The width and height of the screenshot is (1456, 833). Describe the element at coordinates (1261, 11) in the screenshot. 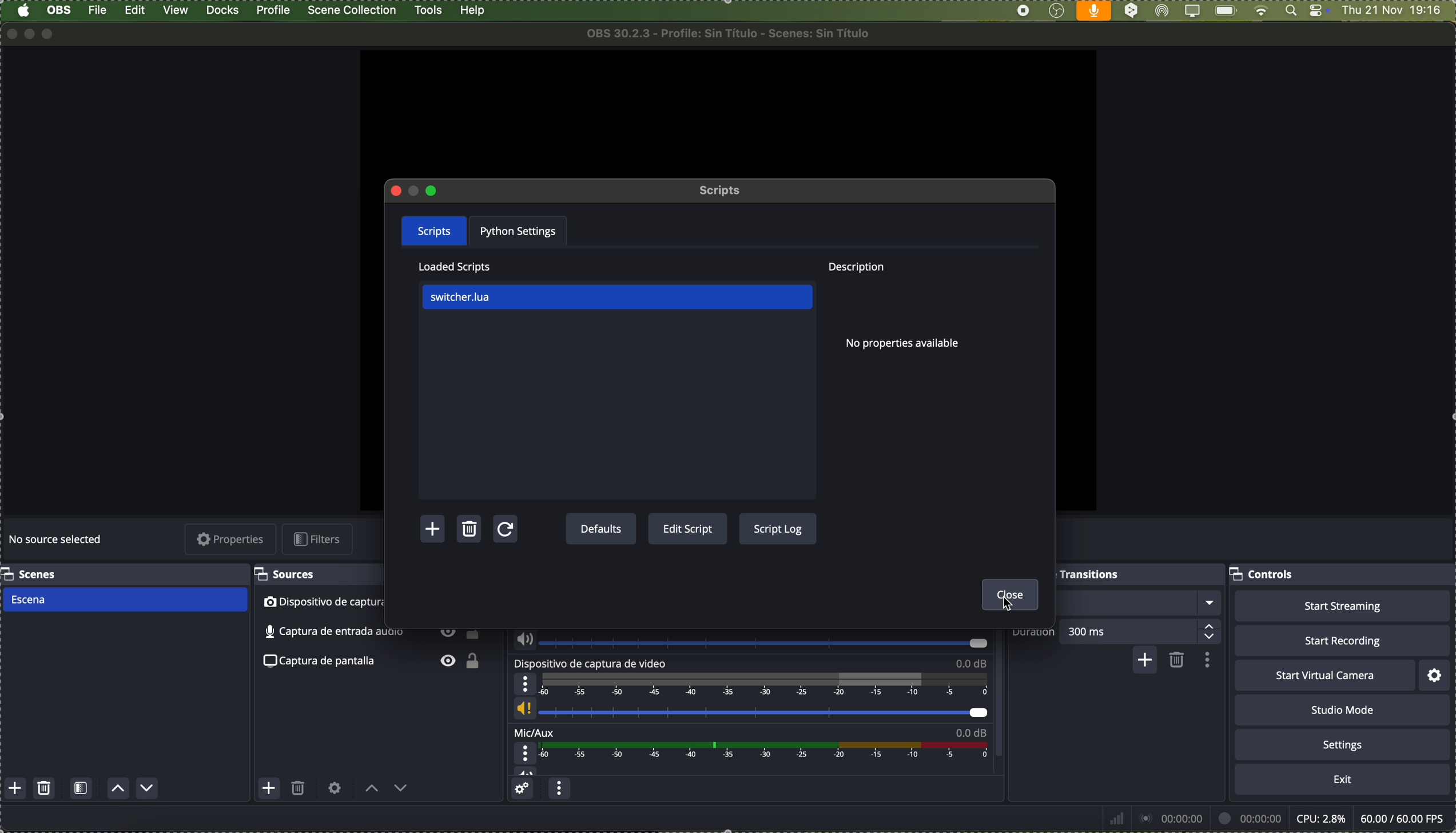

I see `wifi` at that location.